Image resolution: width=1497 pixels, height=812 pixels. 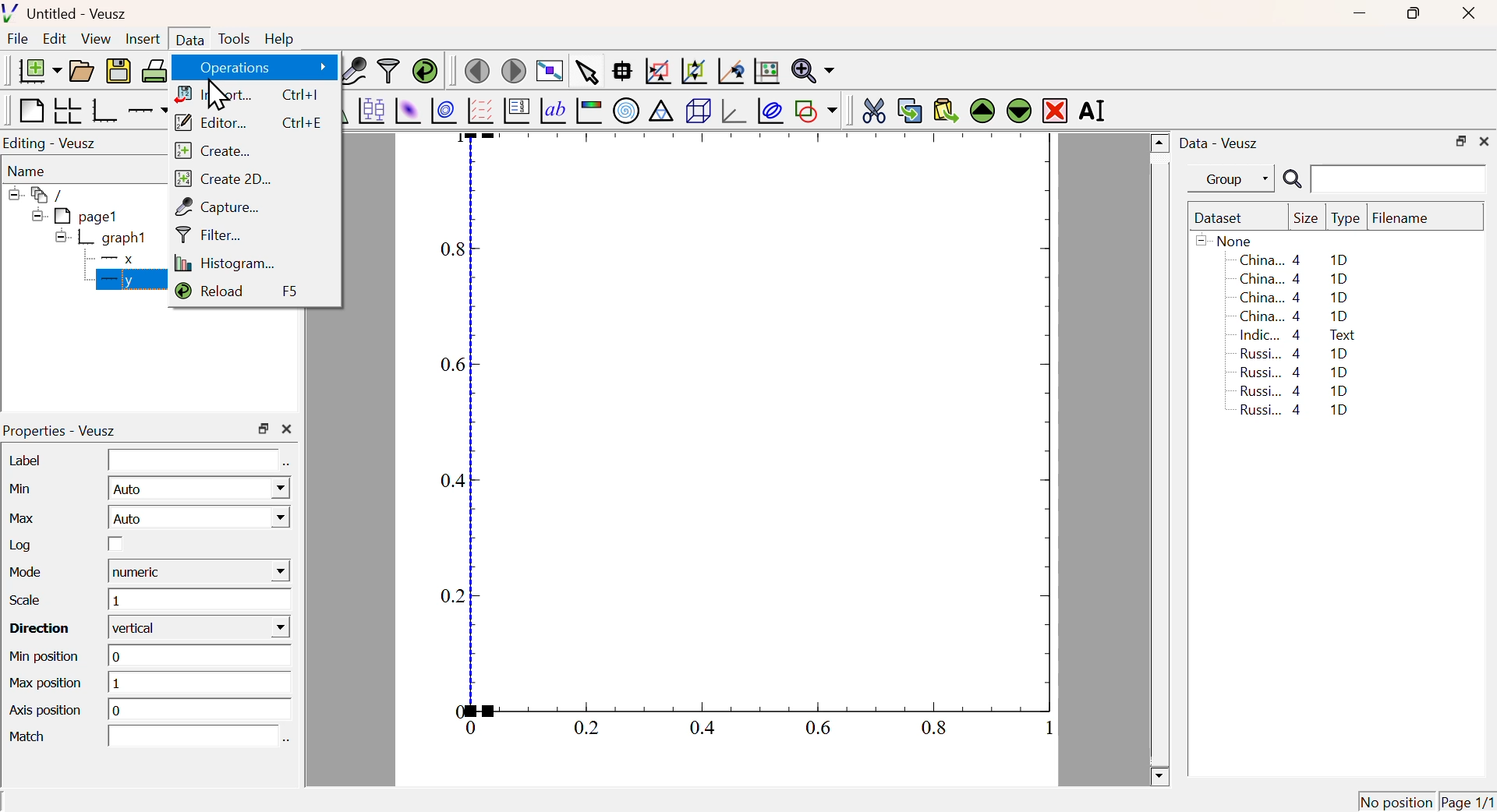 I want to click on Minimize, so click(x=1360, y=14).